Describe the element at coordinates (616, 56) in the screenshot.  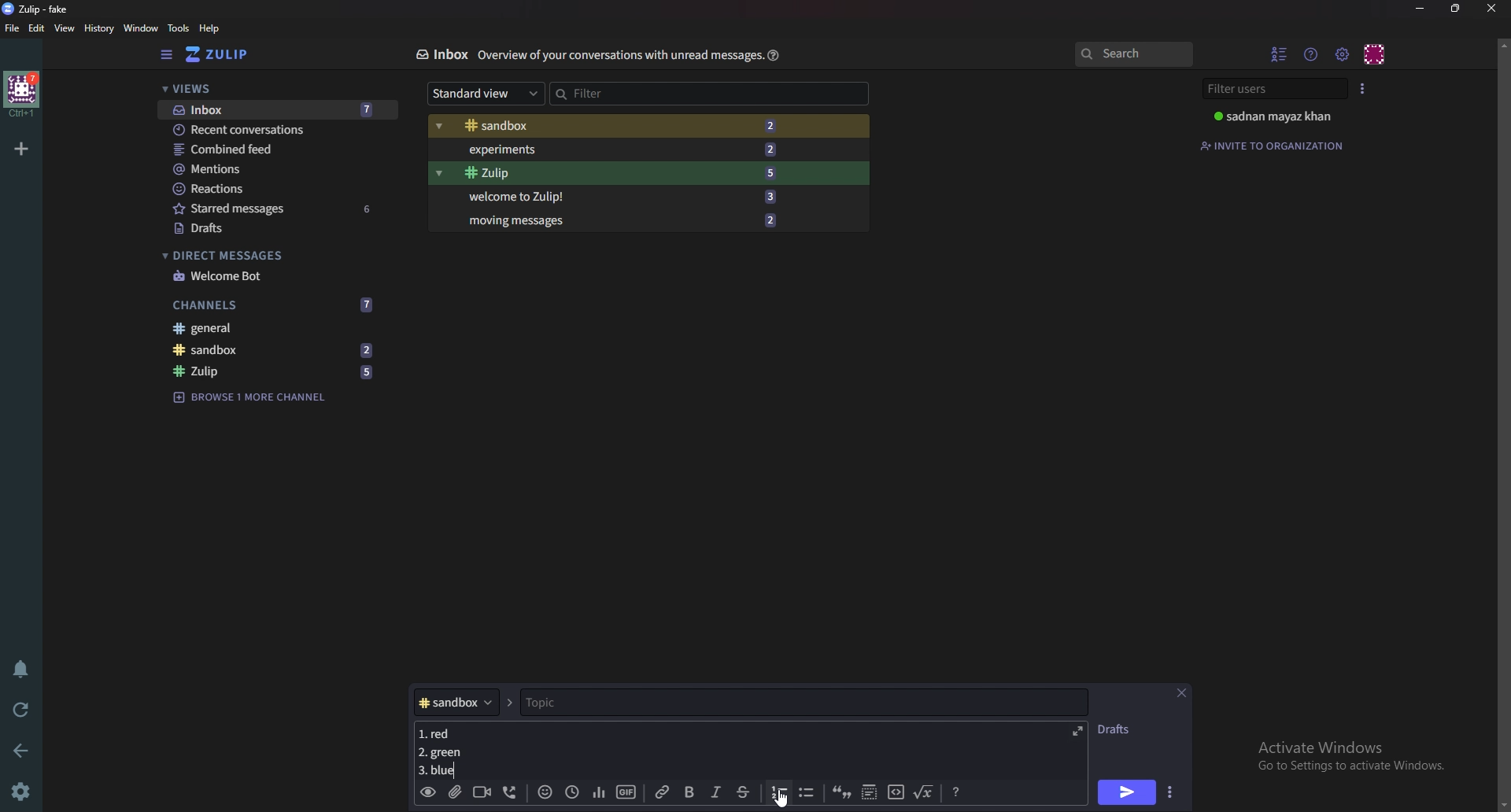
I see `Info` at that location.